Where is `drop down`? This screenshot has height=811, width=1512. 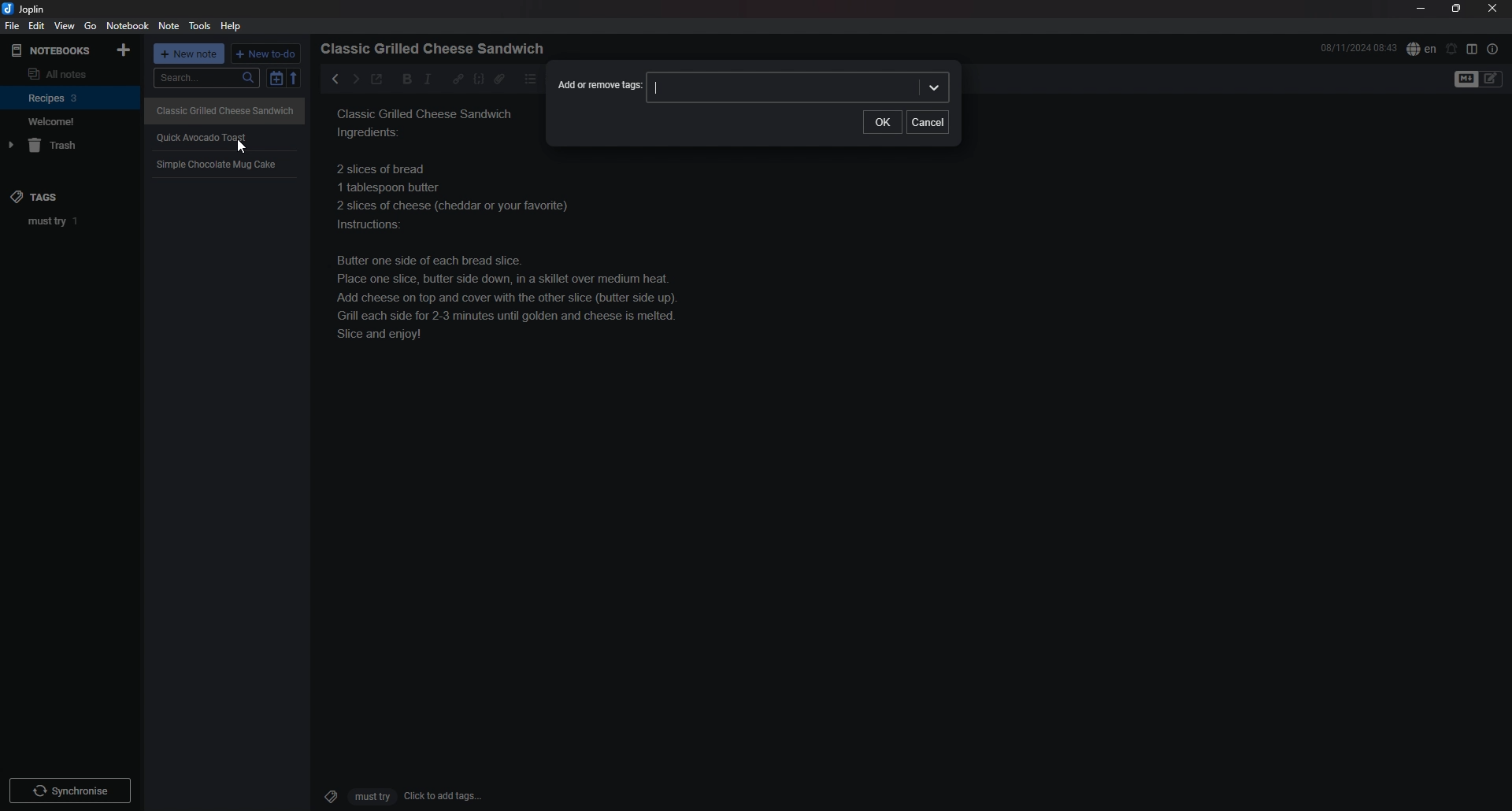
drop down is located at coordinates (935, 87).